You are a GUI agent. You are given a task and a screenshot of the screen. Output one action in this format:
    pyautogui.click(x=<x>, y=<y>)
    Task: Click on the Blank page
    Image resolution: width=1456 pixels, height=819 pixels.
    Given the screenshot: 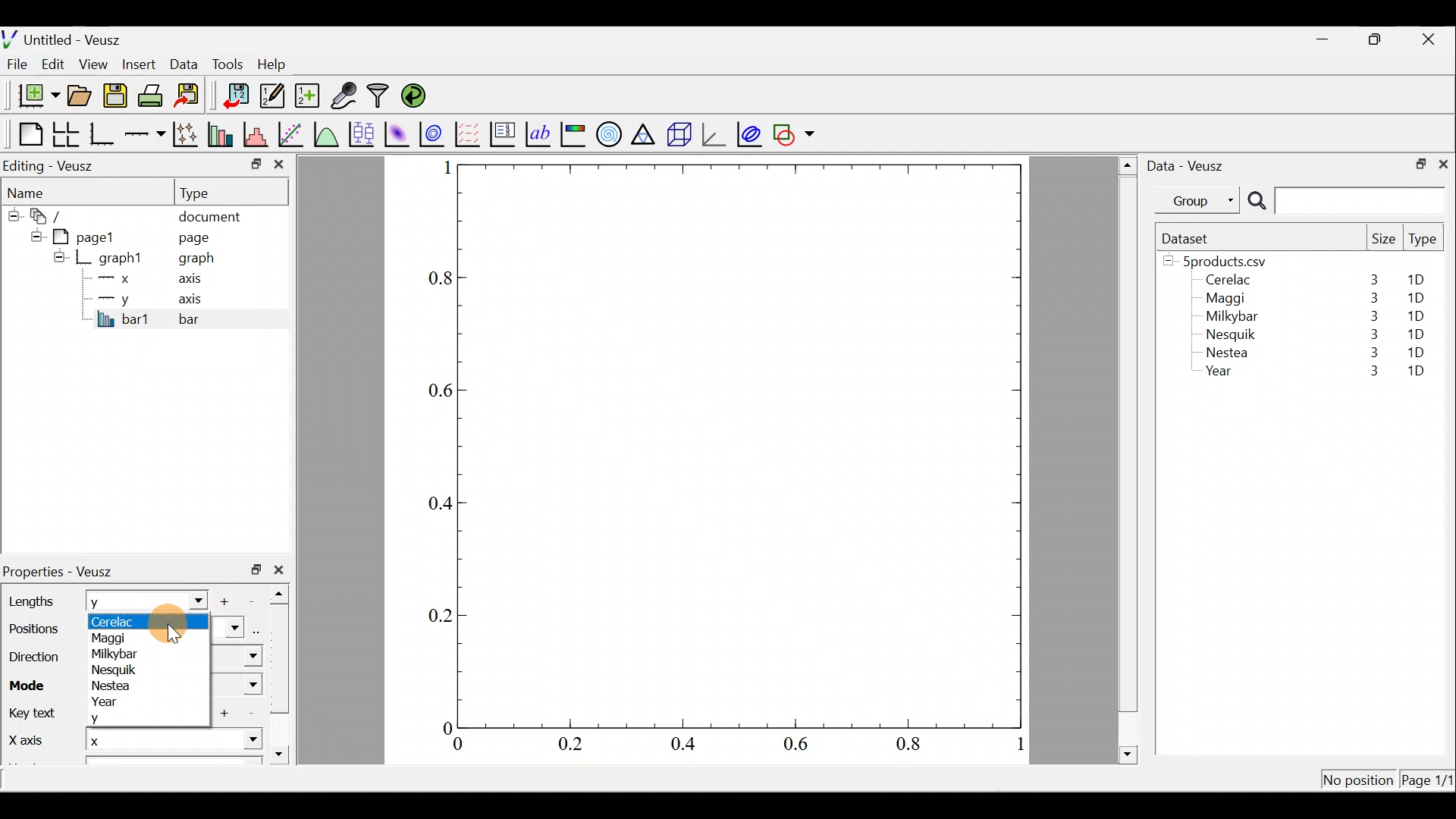 What is the action you would take?
    pyautogui.click(x=27, y=134)
    